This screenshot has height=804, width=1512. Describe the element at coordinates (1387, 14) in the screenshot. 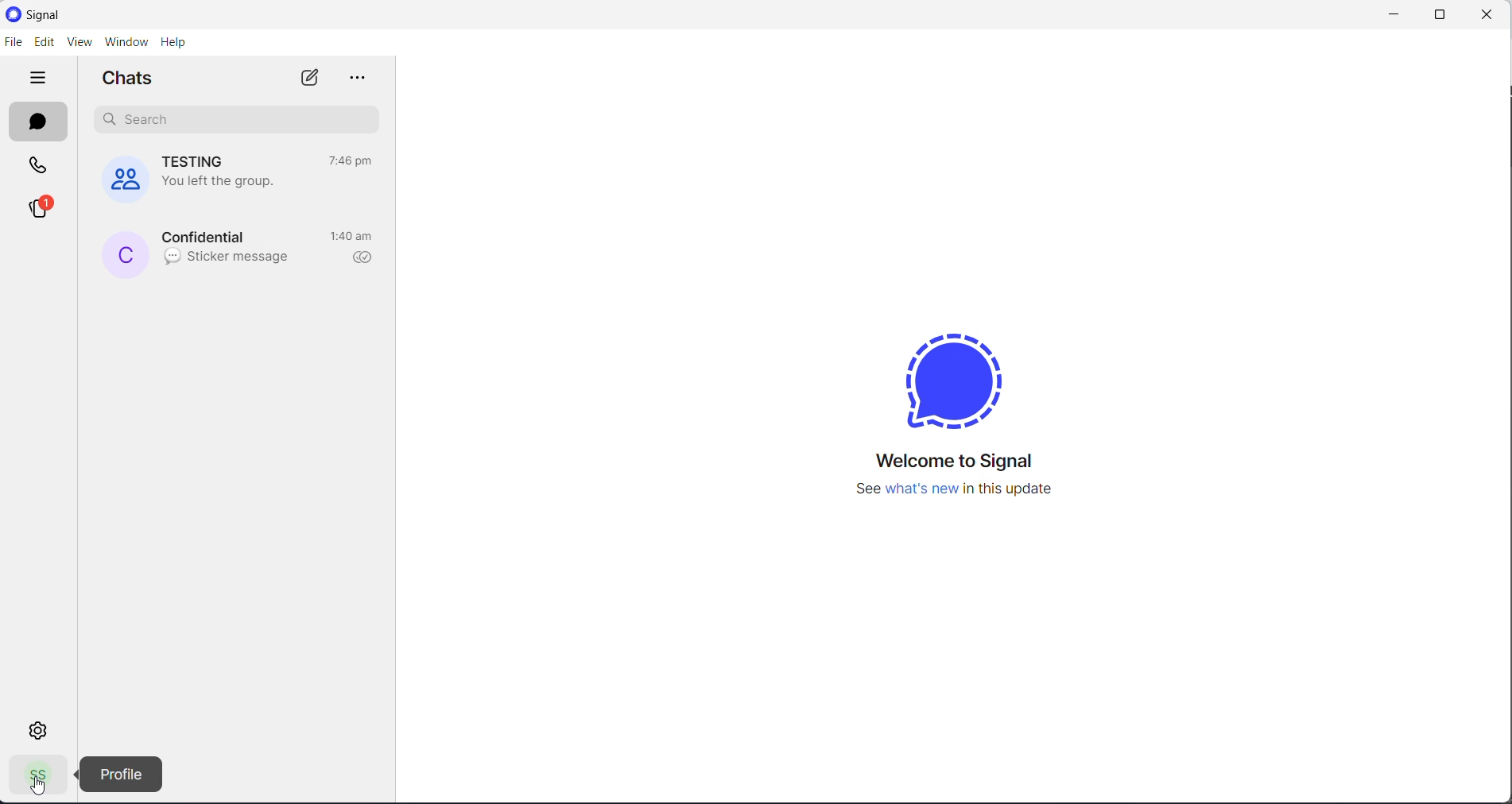

I see `minimize` at that location.